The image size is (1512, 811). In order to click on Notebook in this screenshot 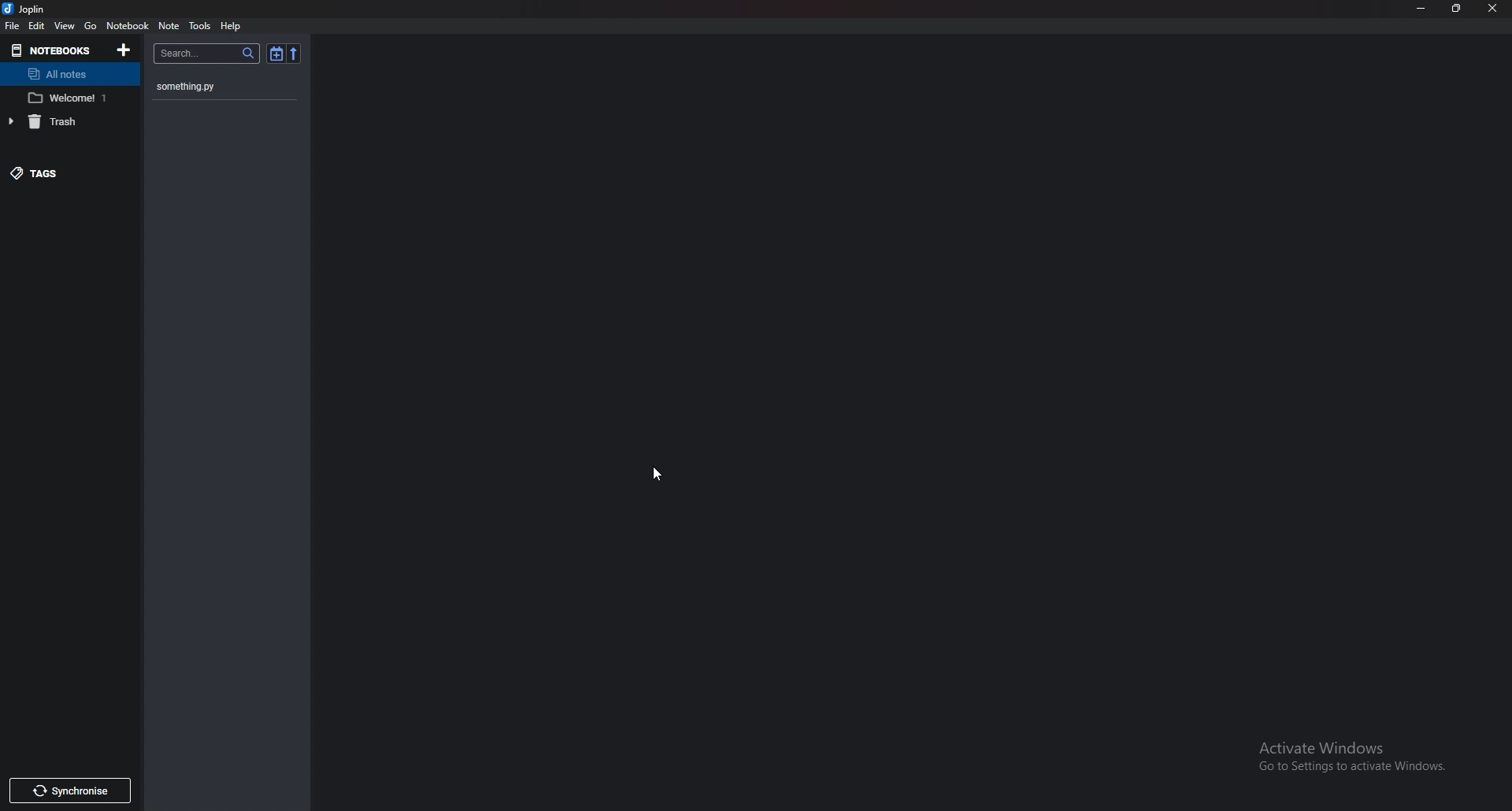, I will do `click(52, 50)`.